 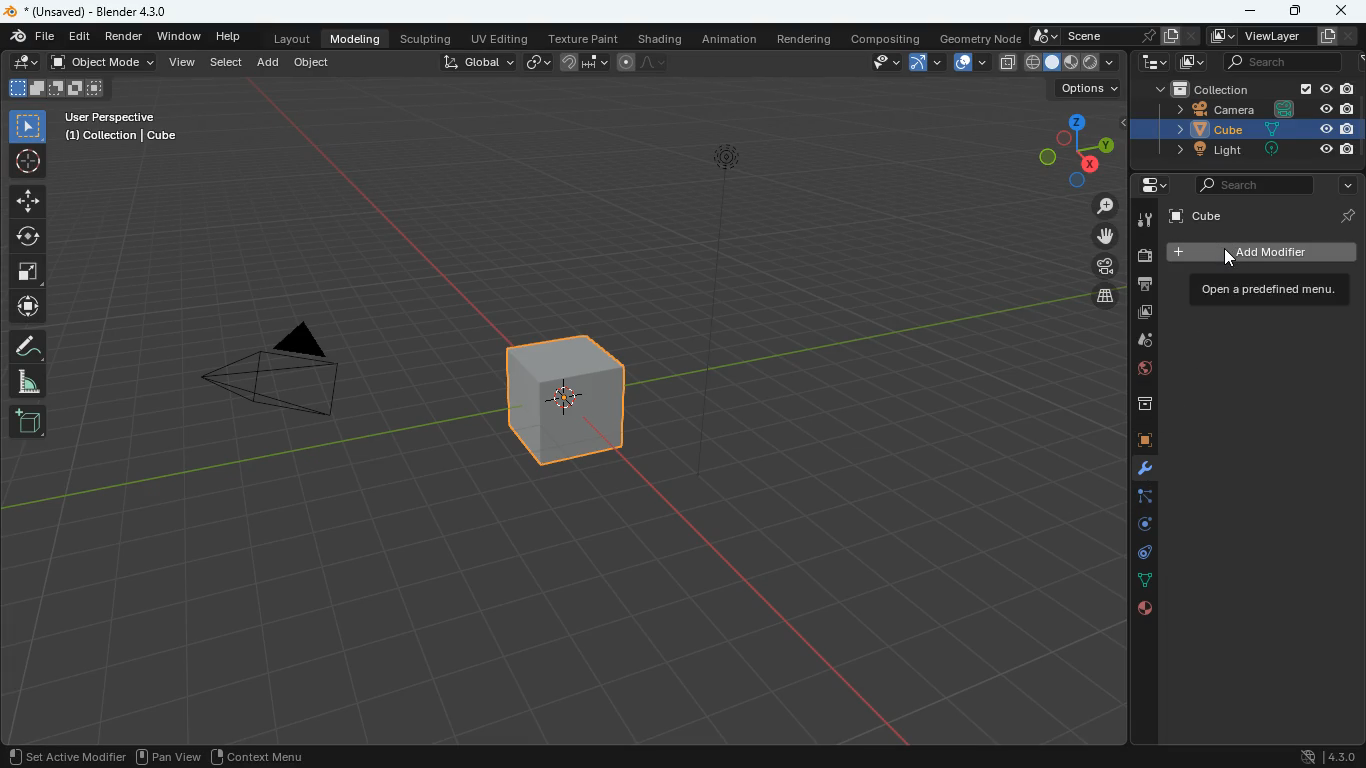 I want to click on image, so click(x=1192, y=63).